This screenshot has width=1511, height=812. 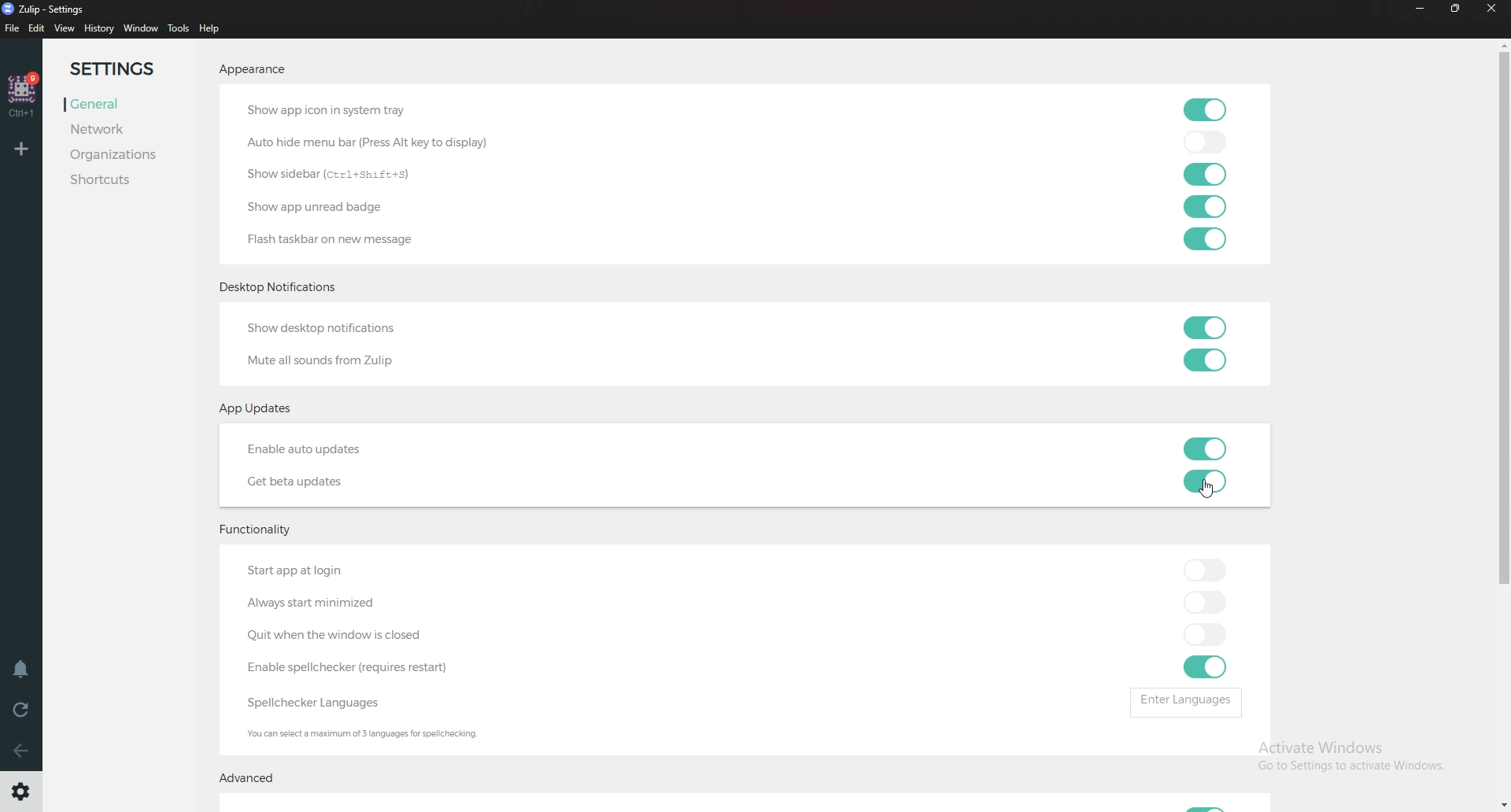 I want to click on Appearance, so click(x=253, y=72).